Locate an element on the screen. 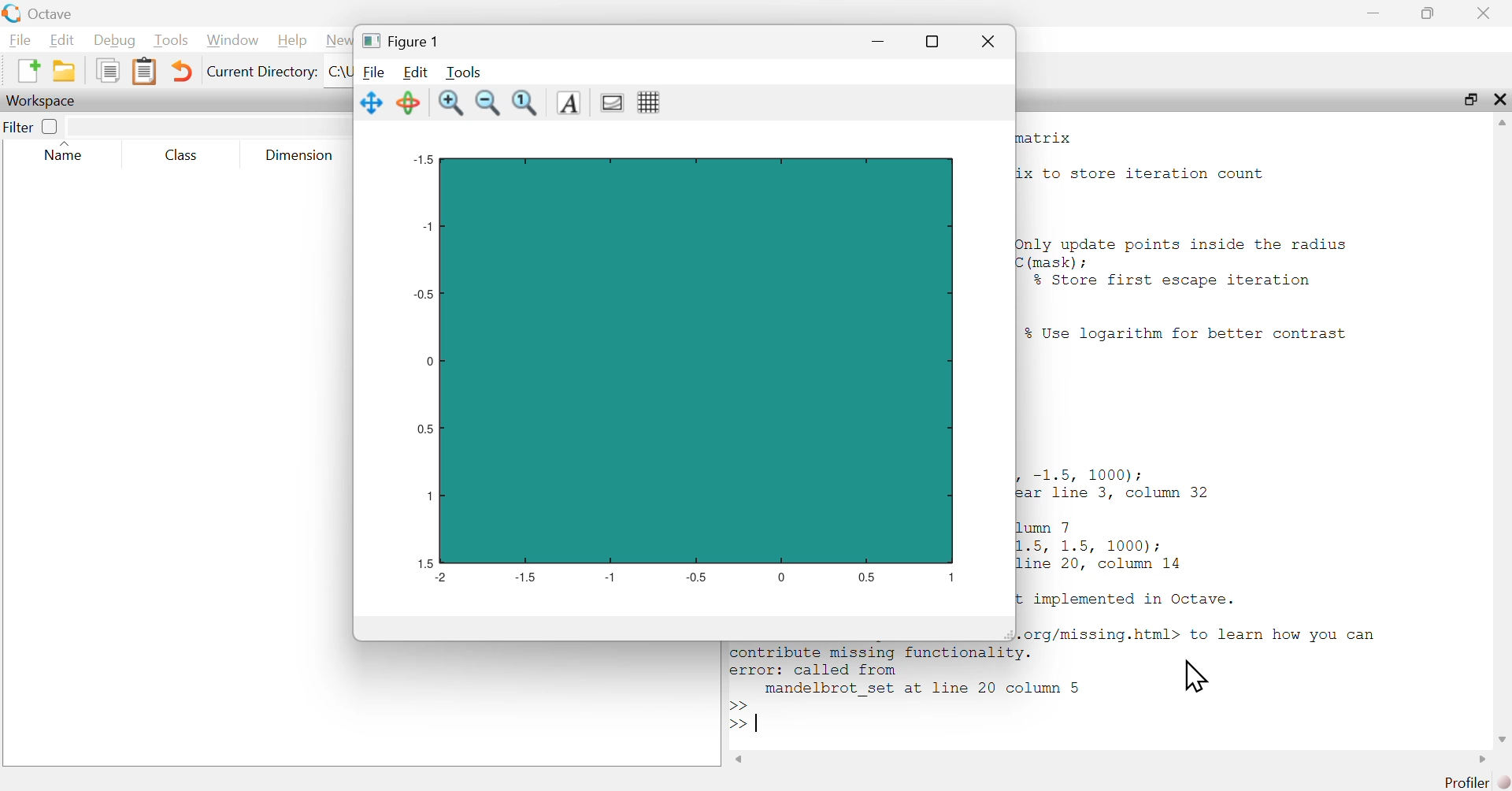 This screenshot has height=791, width=1512. Scrollbar down is located at coordinates (1502, 737).